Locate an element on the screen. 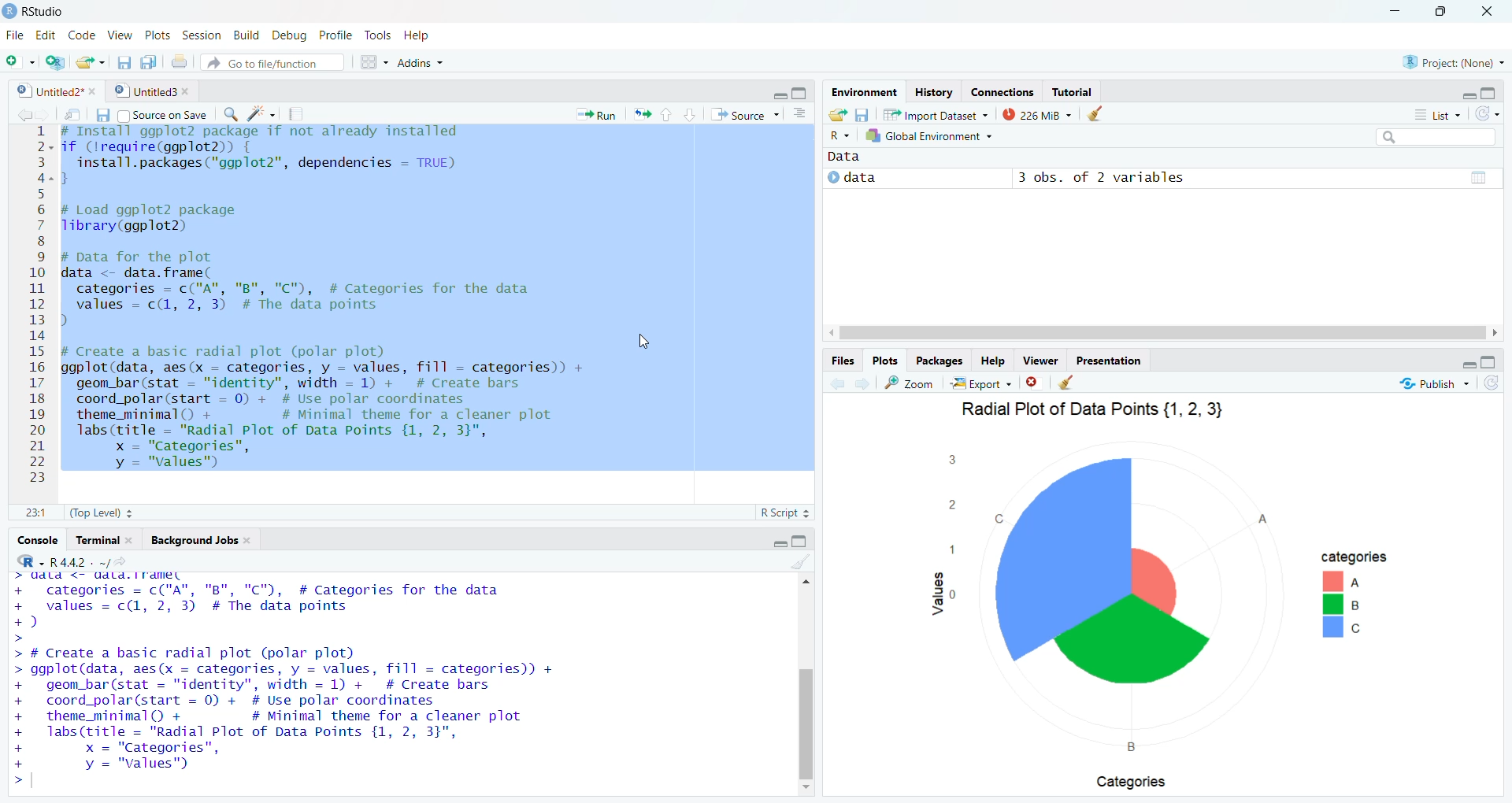 Image resolution: width=1512 pixels, height=803 pixels. Profile is located at coordinates (335, 35).